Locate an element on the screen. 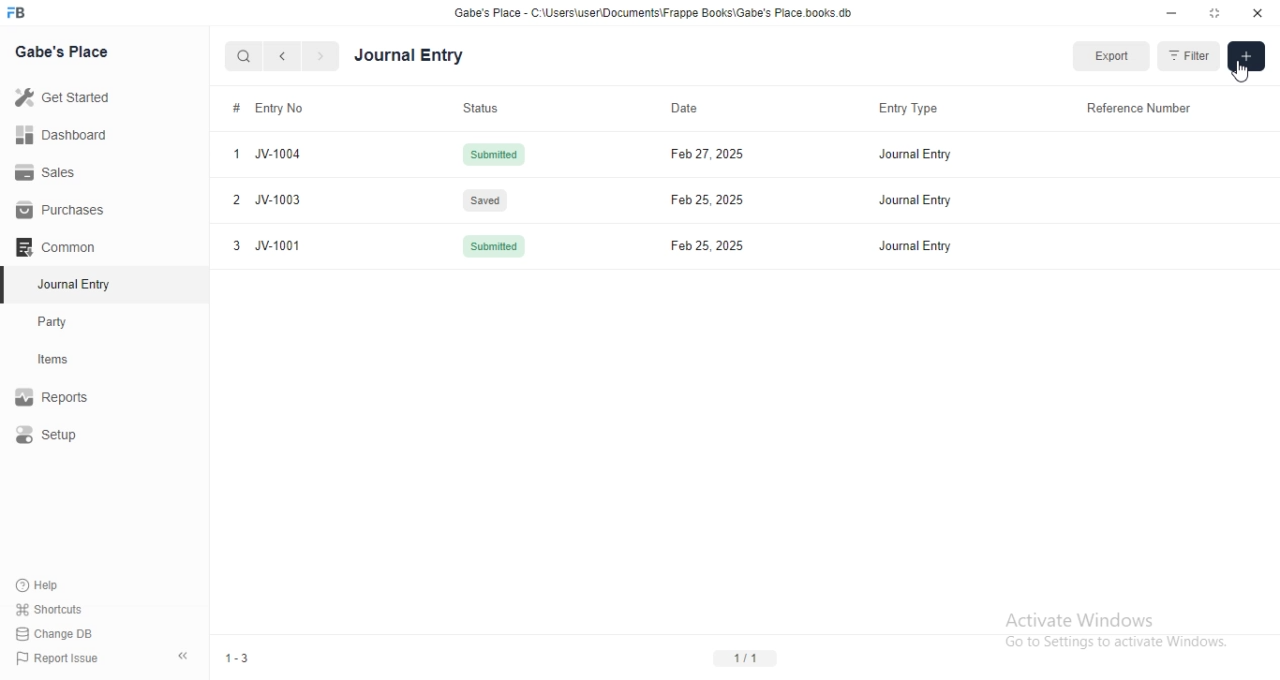 The image size is (1280, 680). Date is located at coordinates (678, 108).